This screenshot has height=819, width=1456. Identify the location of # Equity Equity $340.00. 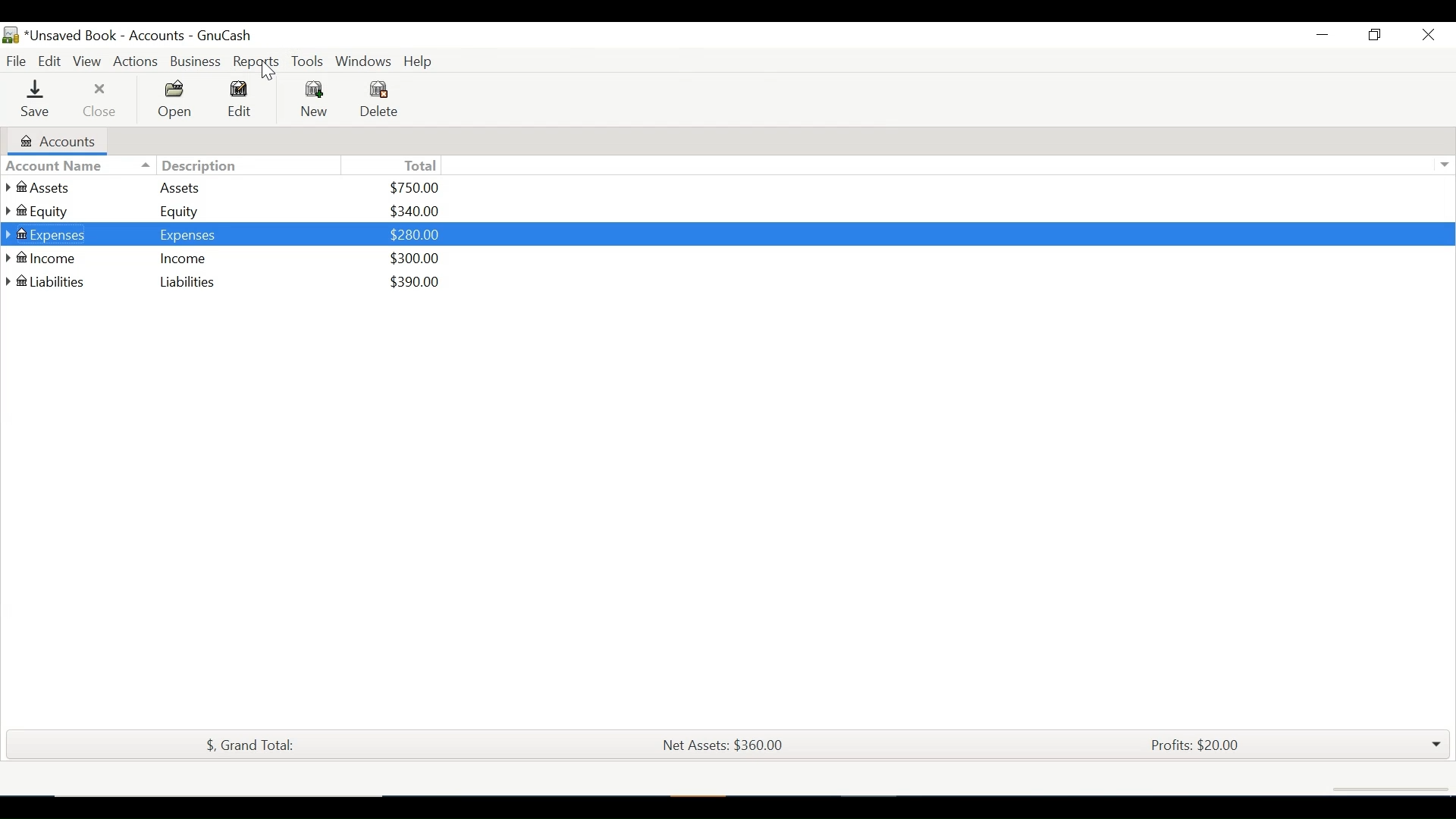
(230, 209).